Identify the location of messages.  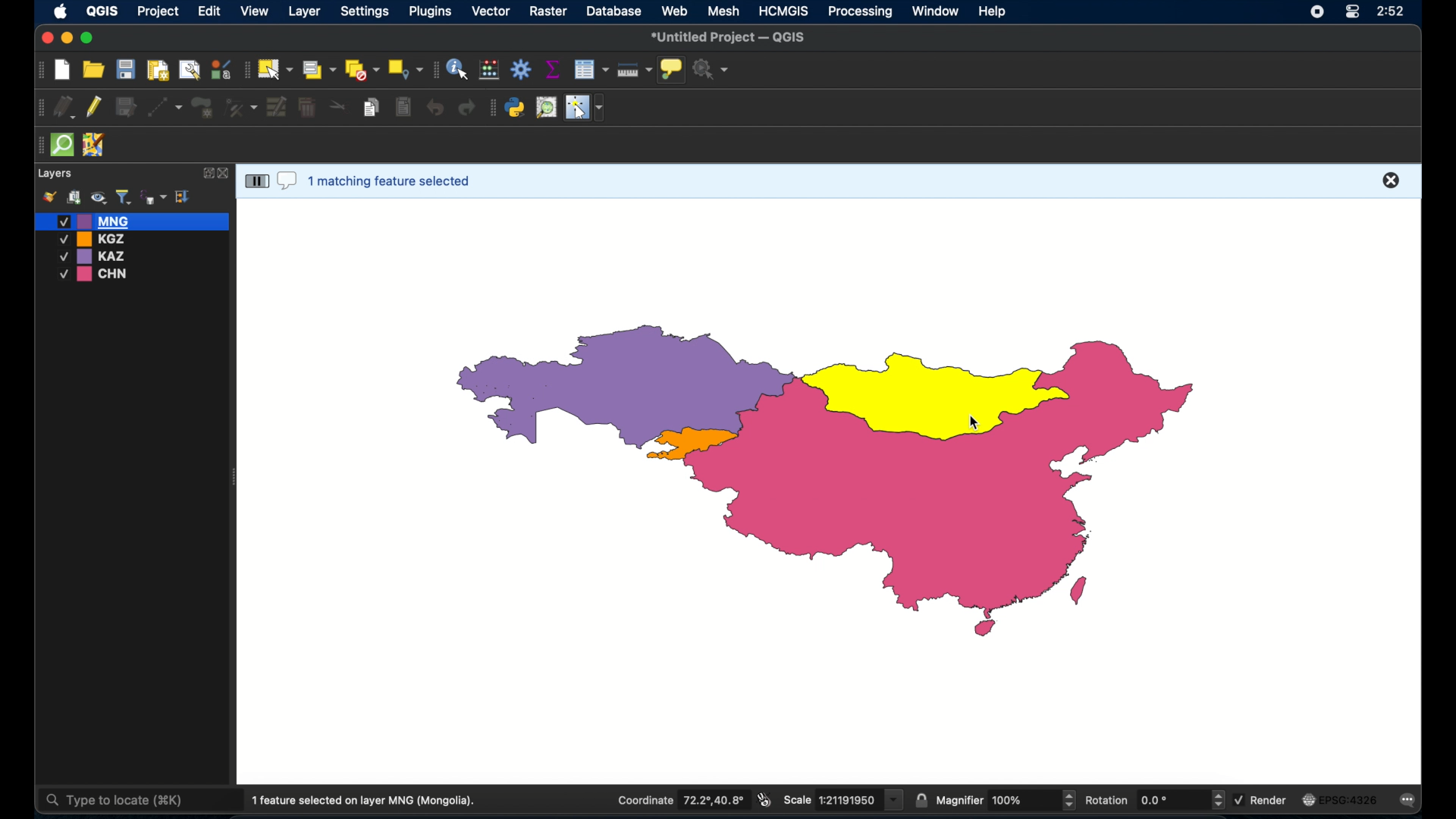
(1410, 801).